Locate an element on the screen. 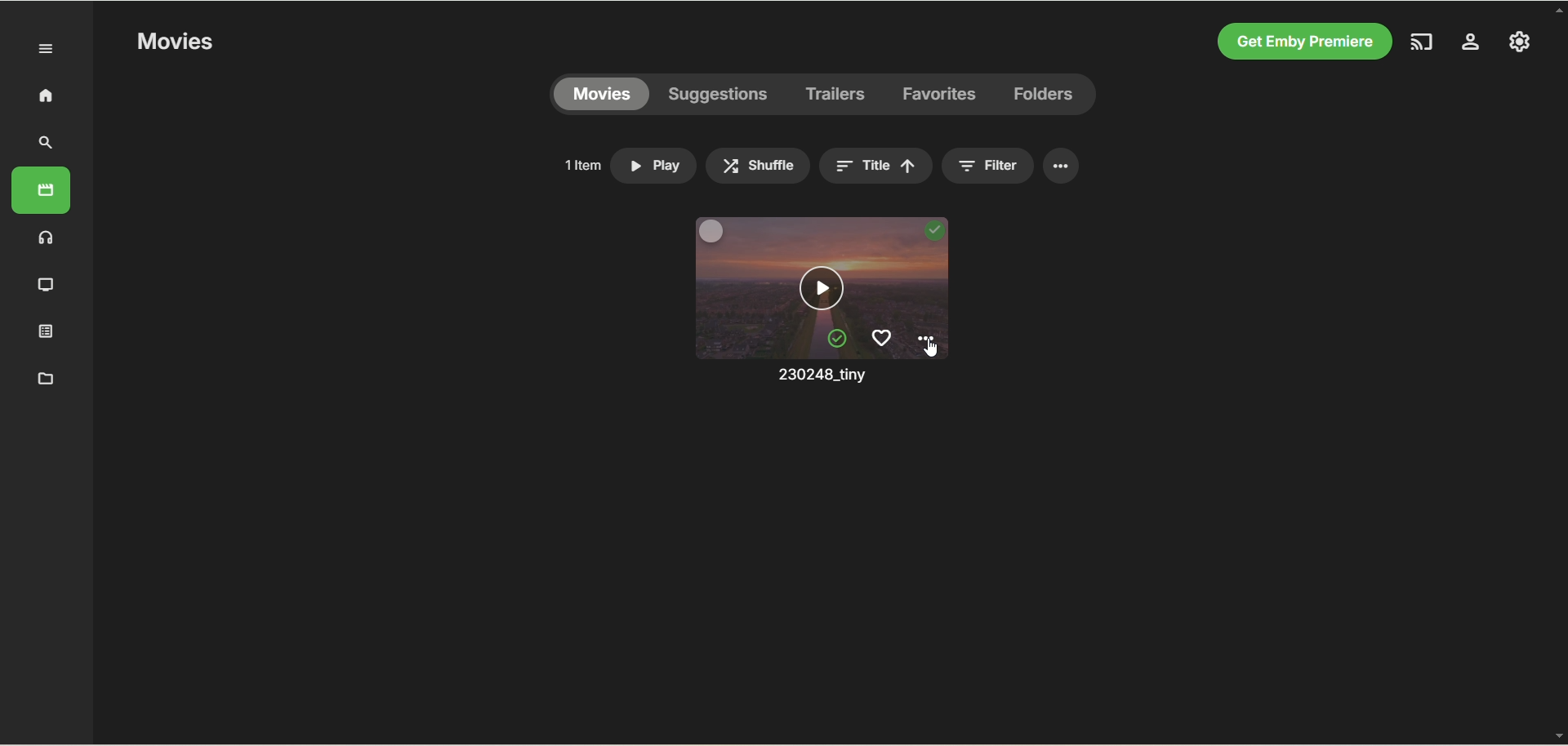  mark unplayed is located at coordinates (837, 339).